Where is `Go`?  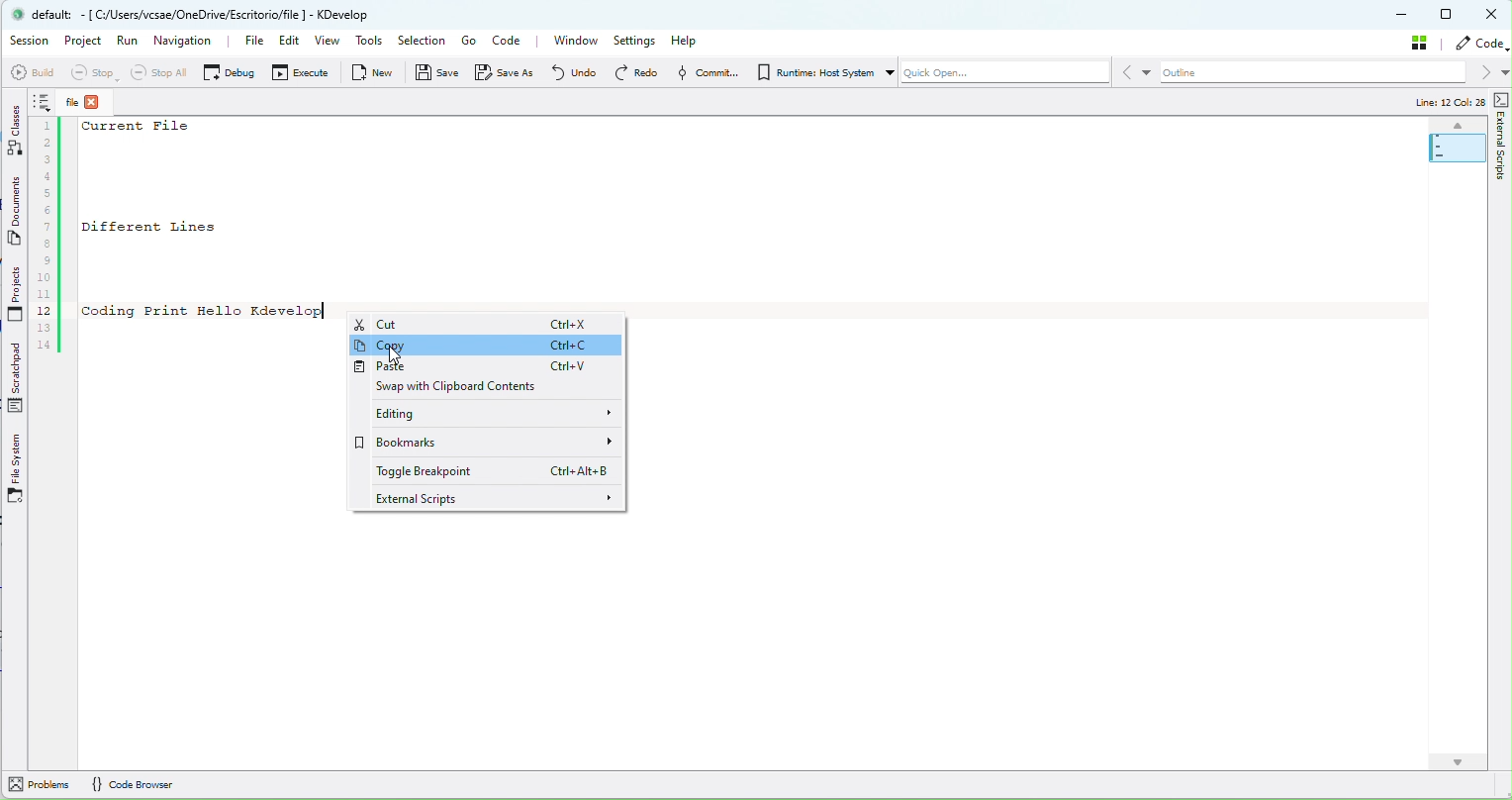 Go is located at coordinates (468, 41).